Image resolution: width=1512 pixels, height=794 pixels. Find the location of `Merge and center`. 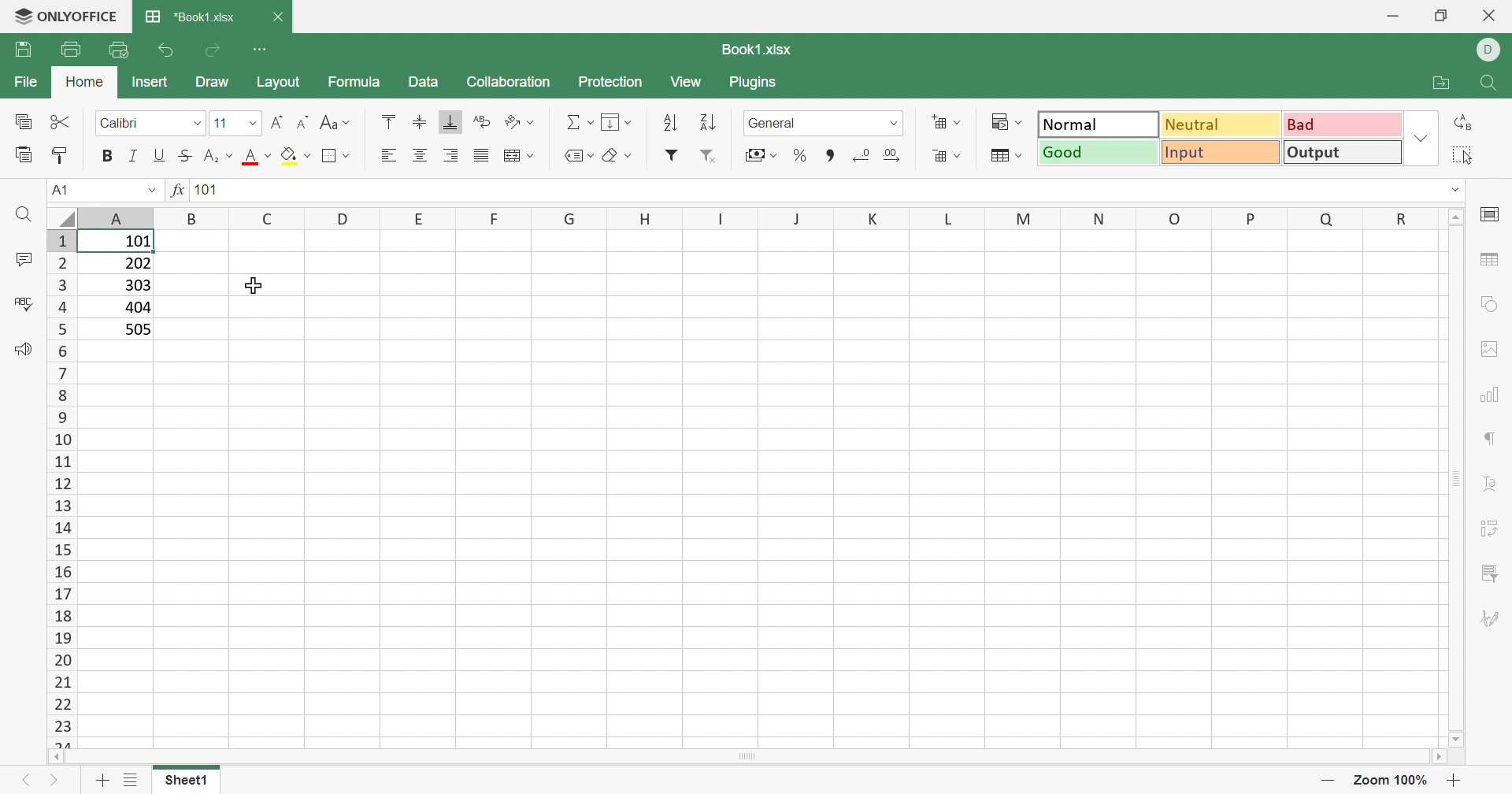

Merge and center is located at coordinates (521, 154).